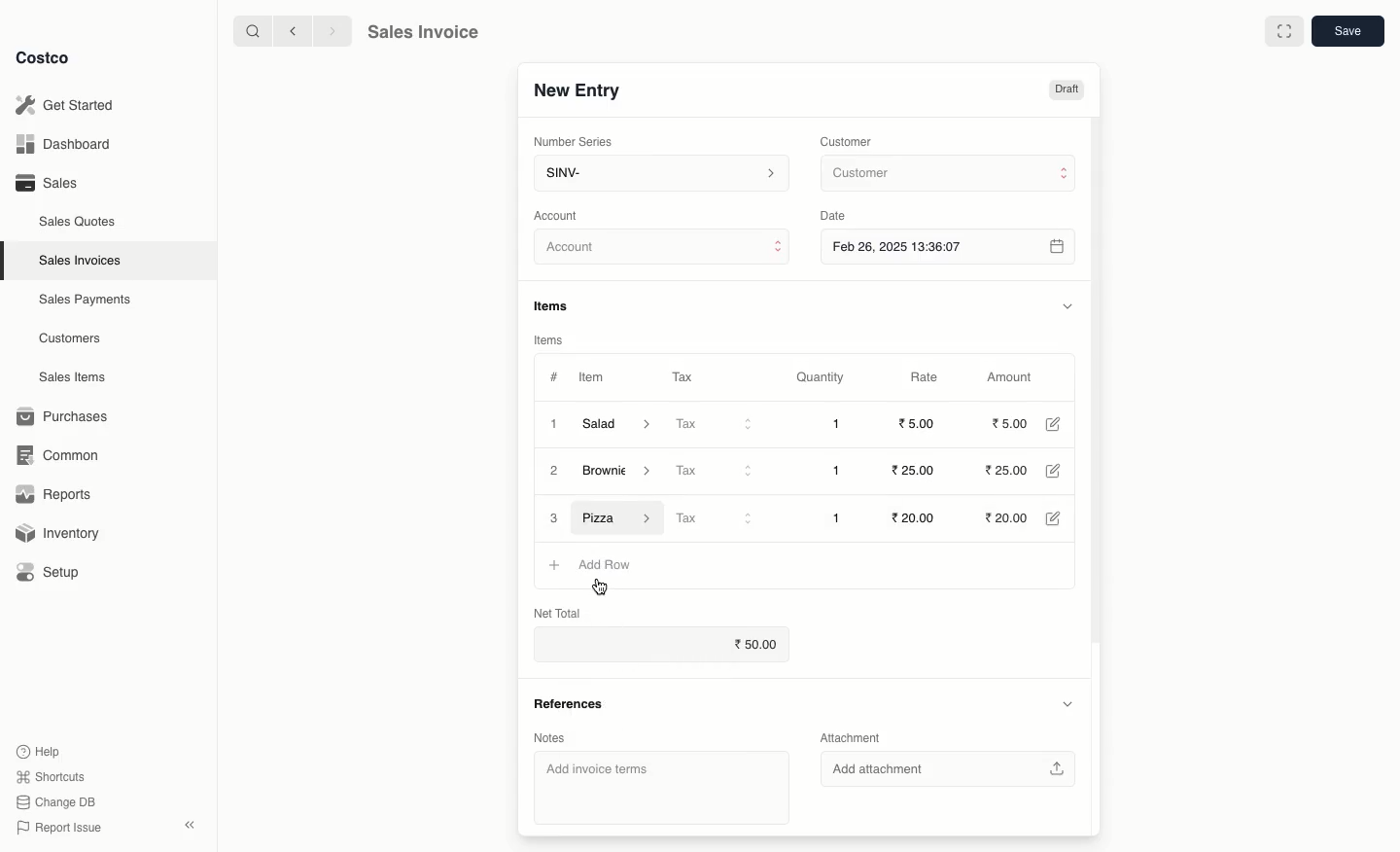 The image size is (1400, 852). Describe the element at coordinates (663, 250) in the screenshot. I see `Account` at that location.